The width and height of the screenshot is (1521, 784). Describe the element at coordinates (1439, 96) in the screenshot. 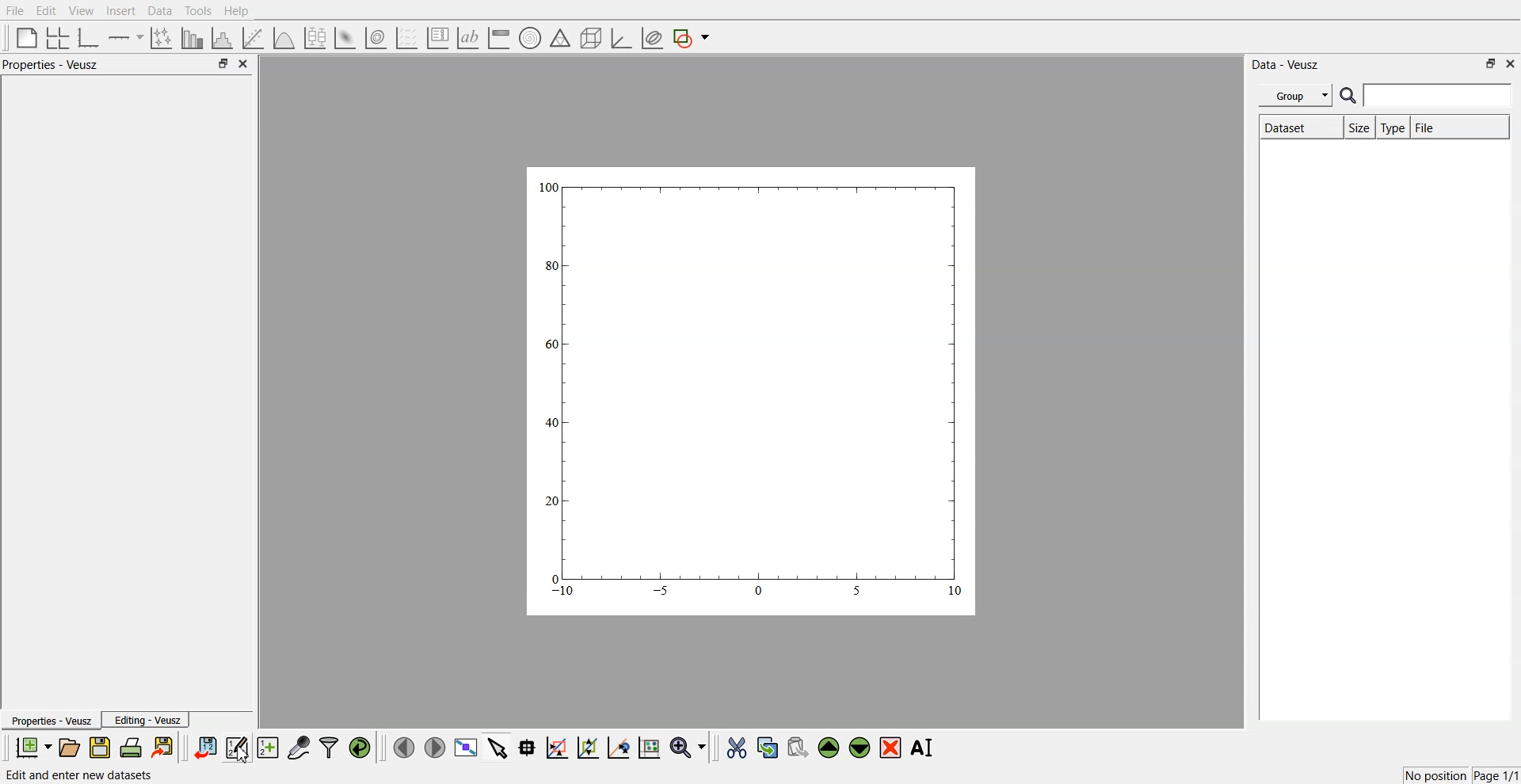

I see `enter search field` at that location.